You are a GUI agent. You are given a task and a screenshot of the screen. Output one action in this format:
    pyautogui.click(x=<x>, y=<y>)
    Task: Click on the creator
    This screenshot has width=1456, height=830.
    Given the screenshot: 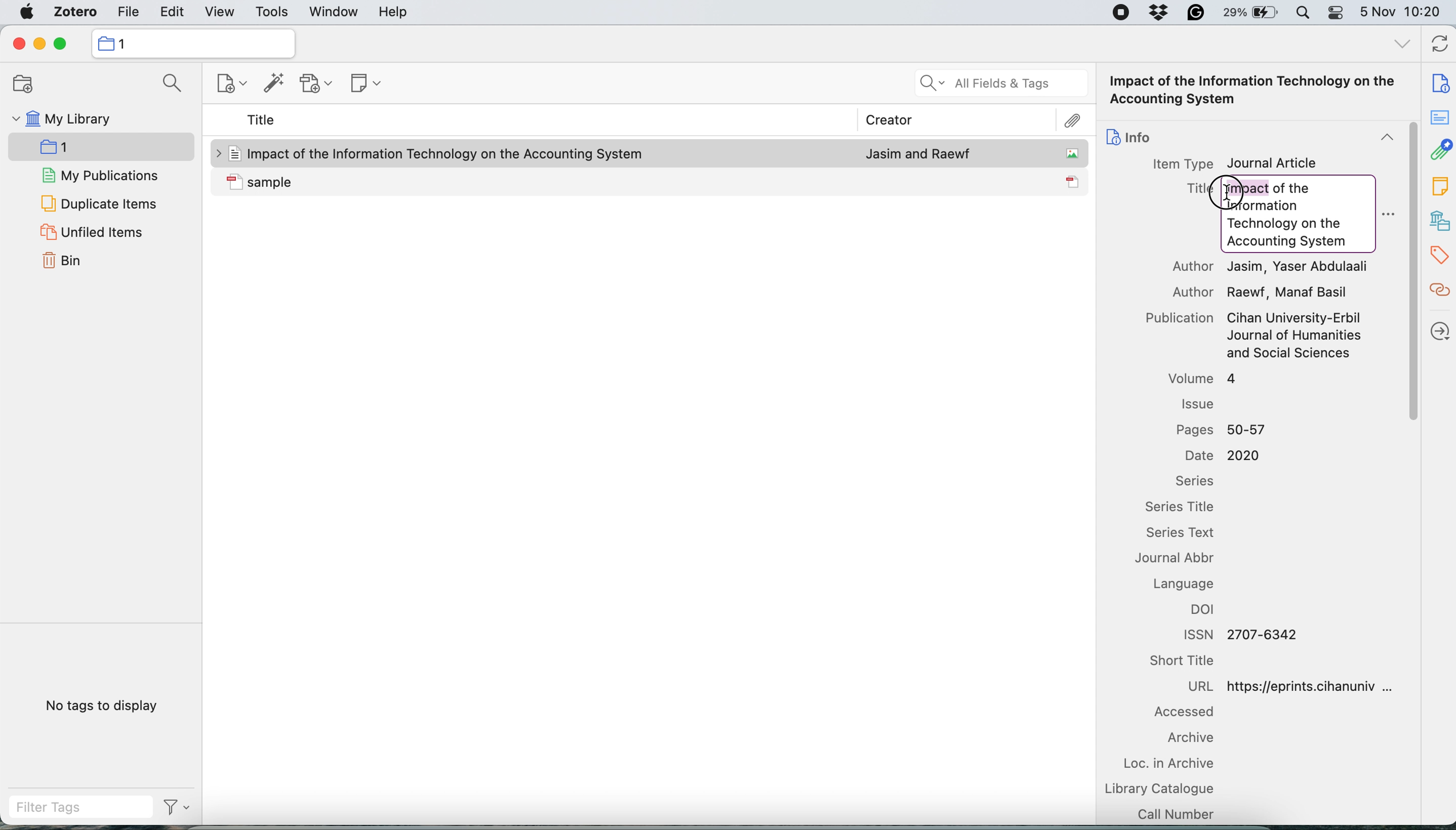 What is the action you would take?
    pyautogui.click(x=889, y=119)
    